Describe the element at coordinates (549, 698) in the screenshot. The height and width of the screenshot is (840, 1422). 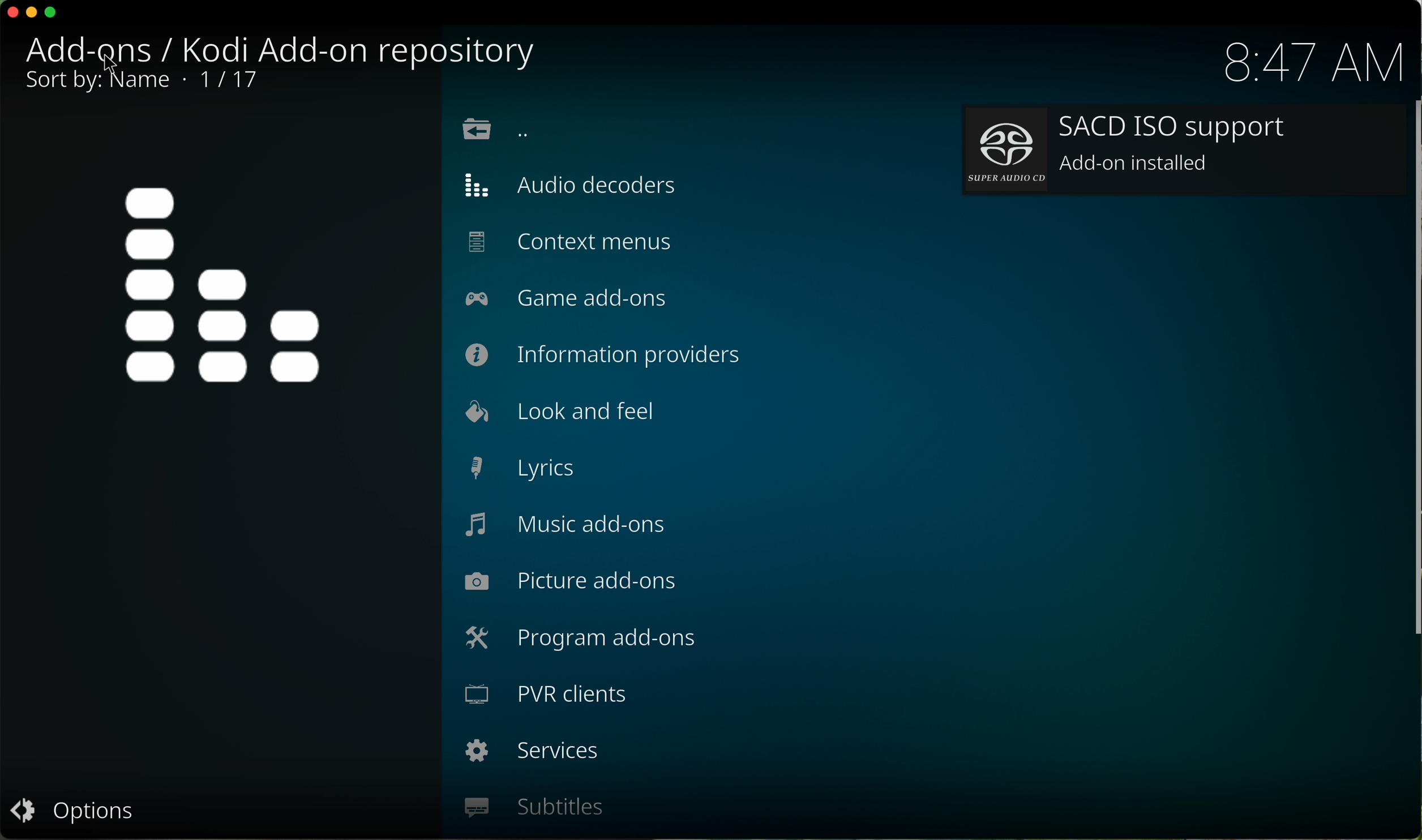
I see `PVR clients` at that location.